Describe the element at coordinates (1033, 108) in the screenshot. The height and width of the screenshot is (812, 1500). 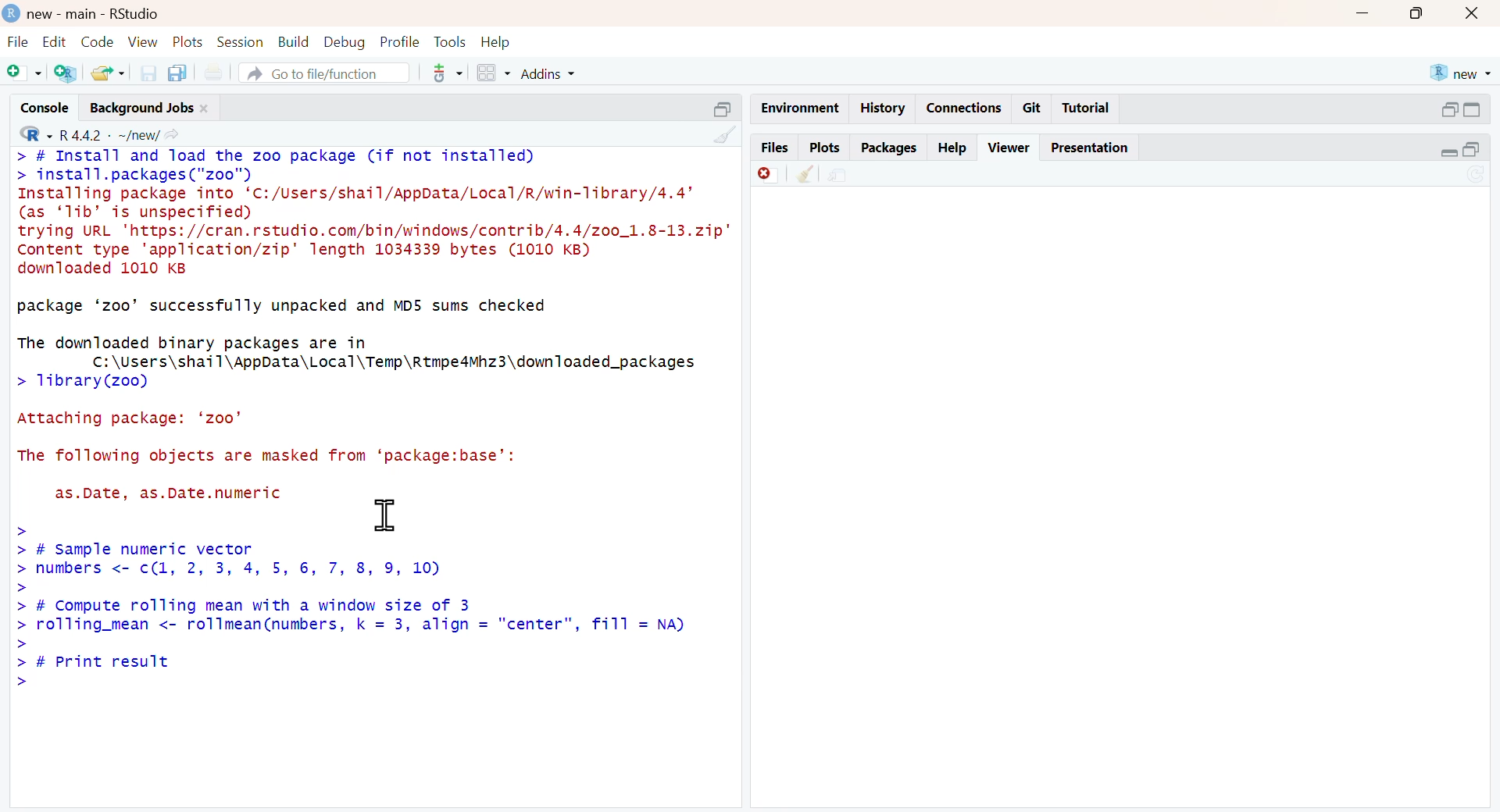
I see `git` at that location.